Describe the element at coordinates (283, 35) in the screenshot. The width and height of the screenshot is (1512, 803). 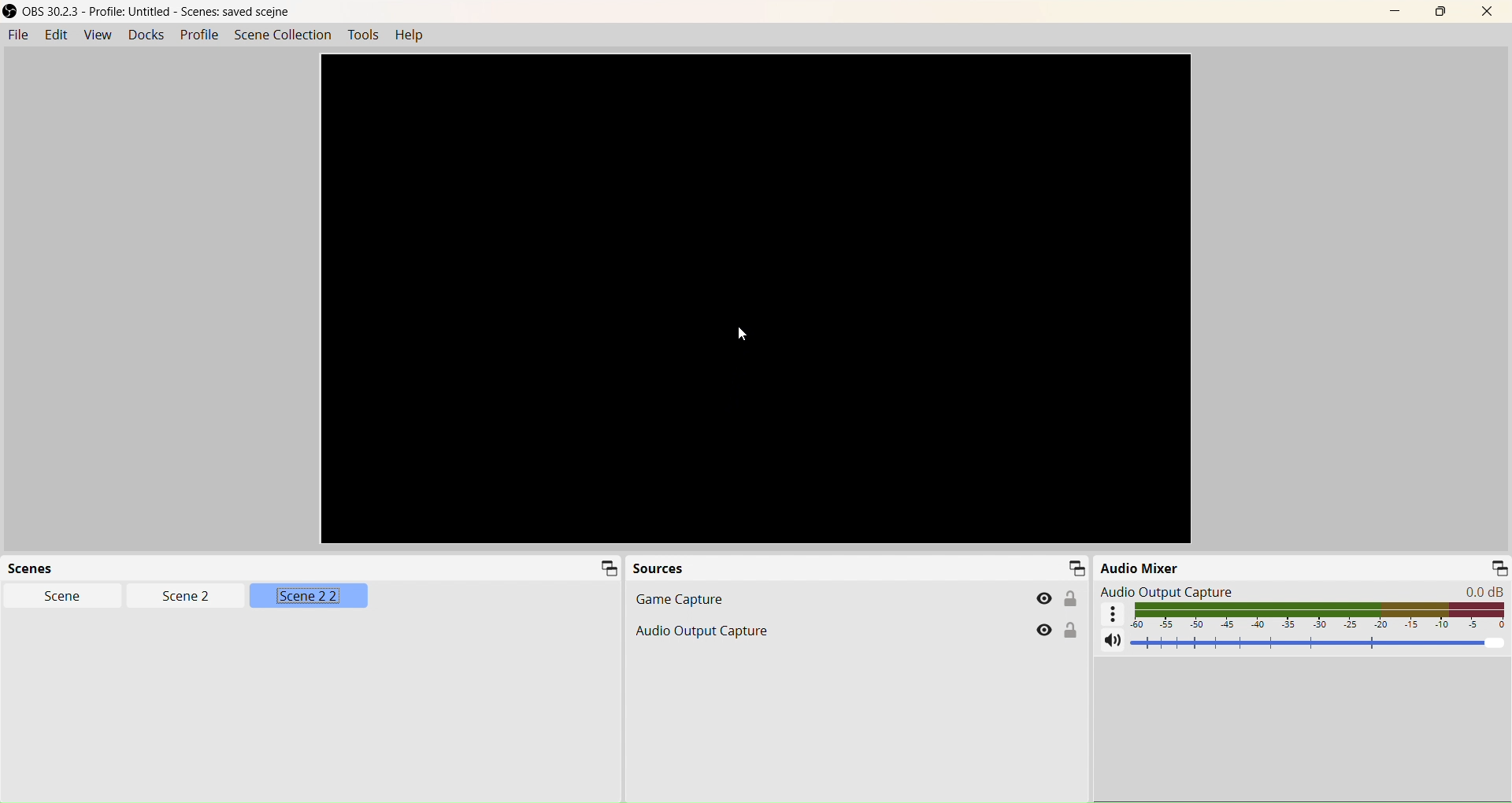
I see `Scene Collection` at that location.